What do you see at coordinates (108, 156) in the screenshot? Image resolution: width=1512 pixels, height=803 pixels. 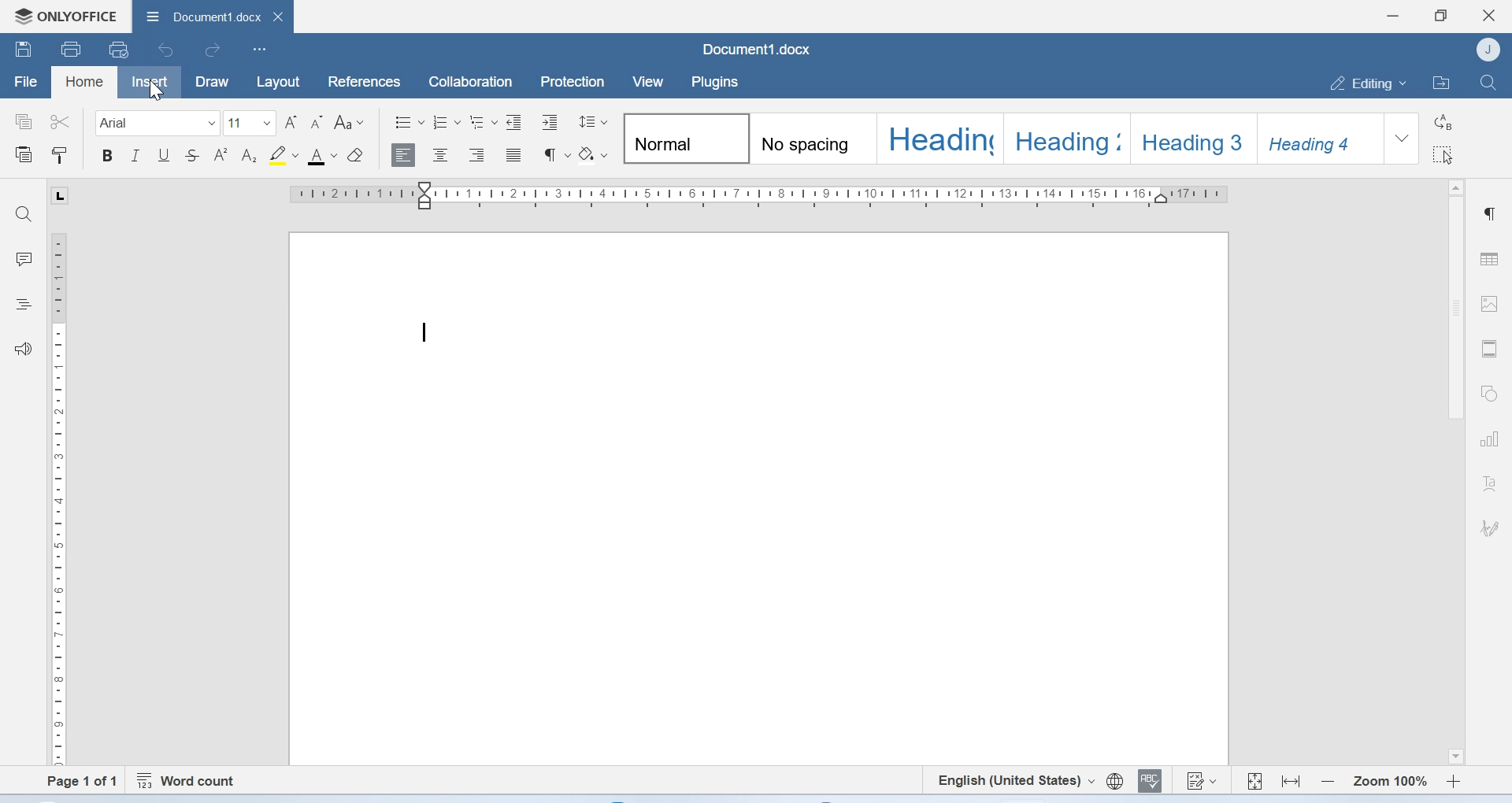 I see `Bold` at bounding box center [108, 156].